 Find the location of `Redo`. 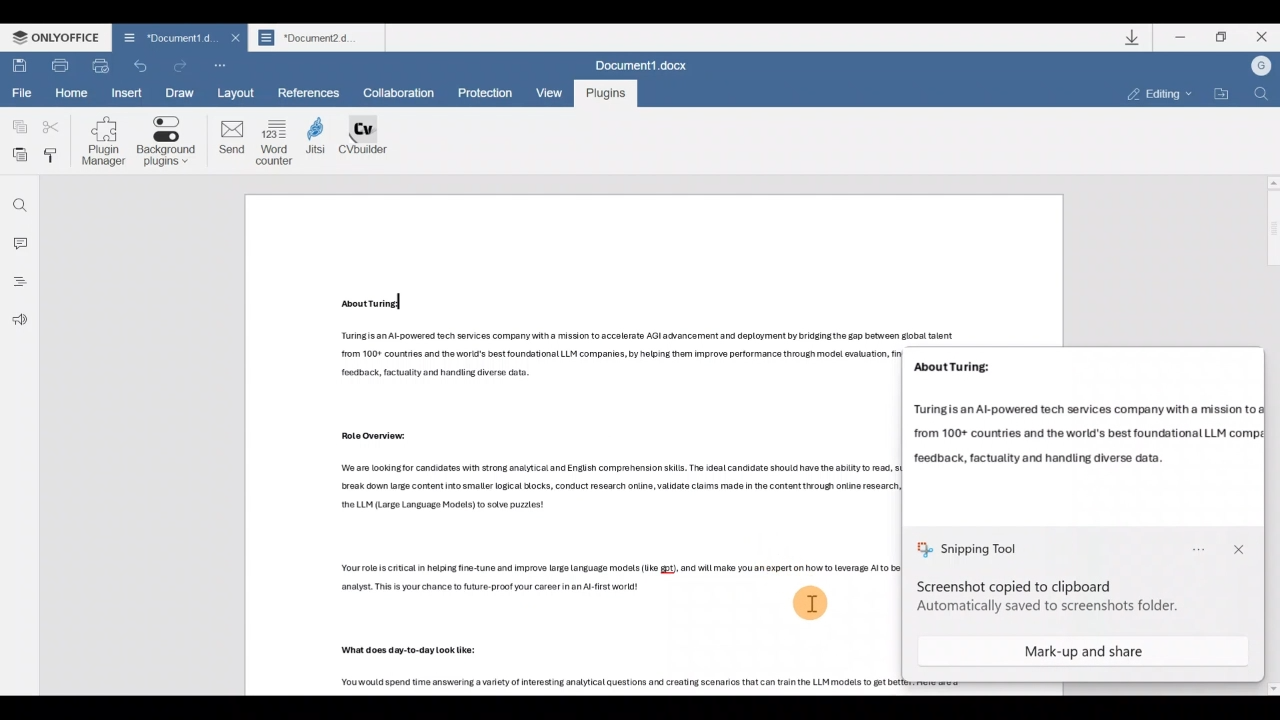

Redo is located at coordinates (143, 64).